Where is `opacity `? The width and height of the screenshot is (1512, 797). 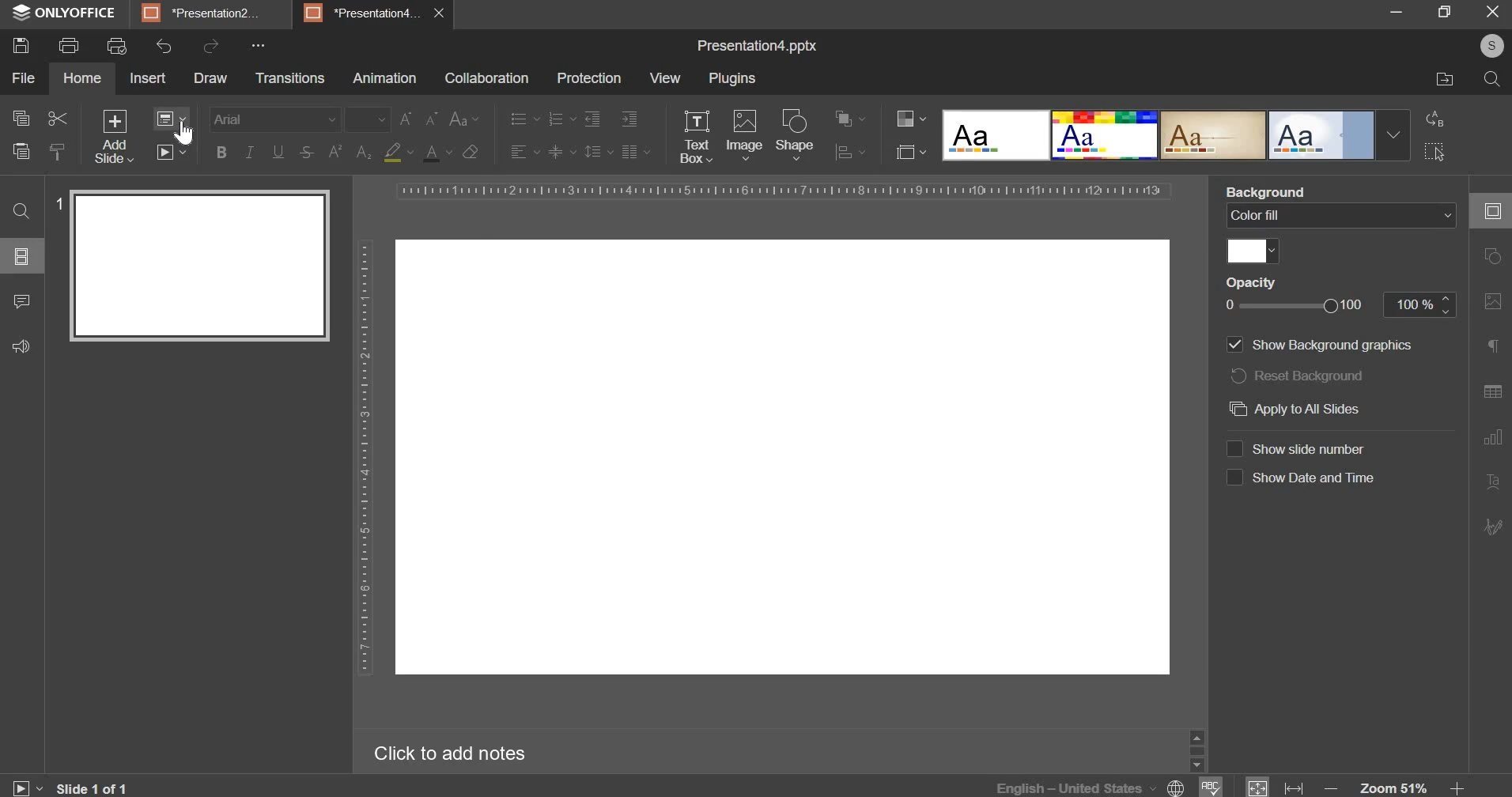
opacity  is located at coordinates (1420, 304).